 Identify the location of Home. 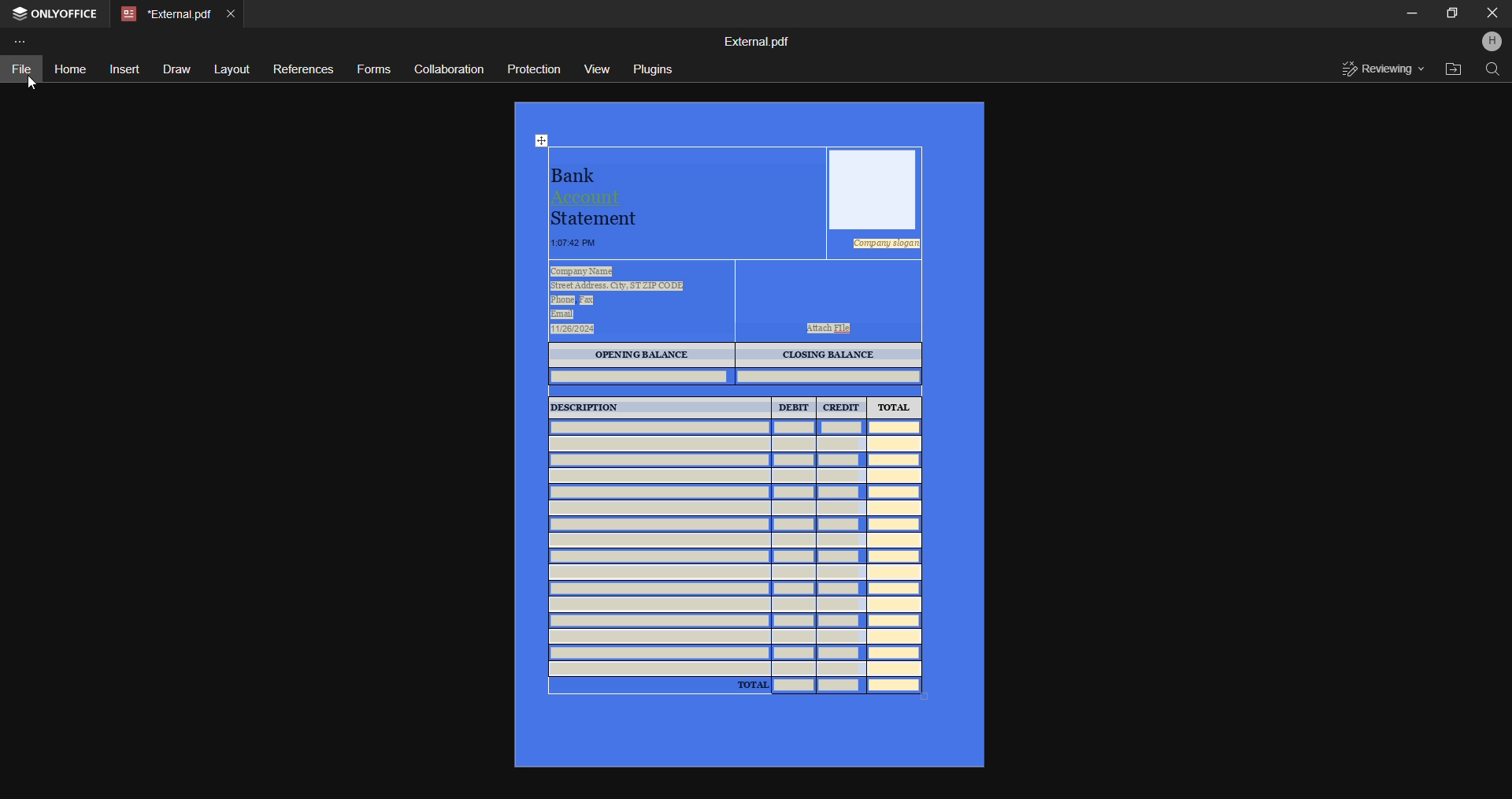
(69, 68).